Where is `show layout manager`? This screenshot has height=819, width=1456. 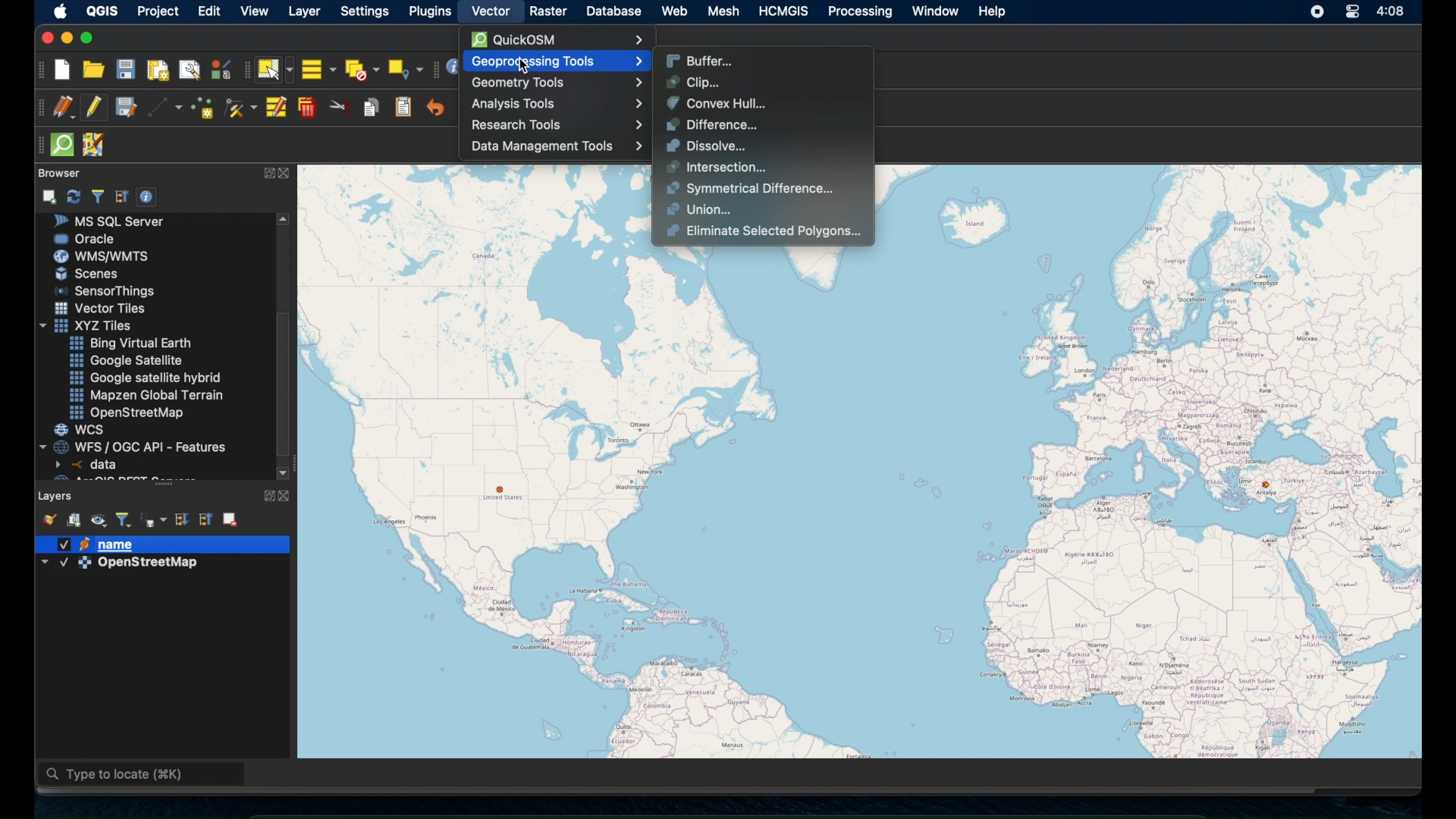
show layout manager is located at coordinates (192, 71).